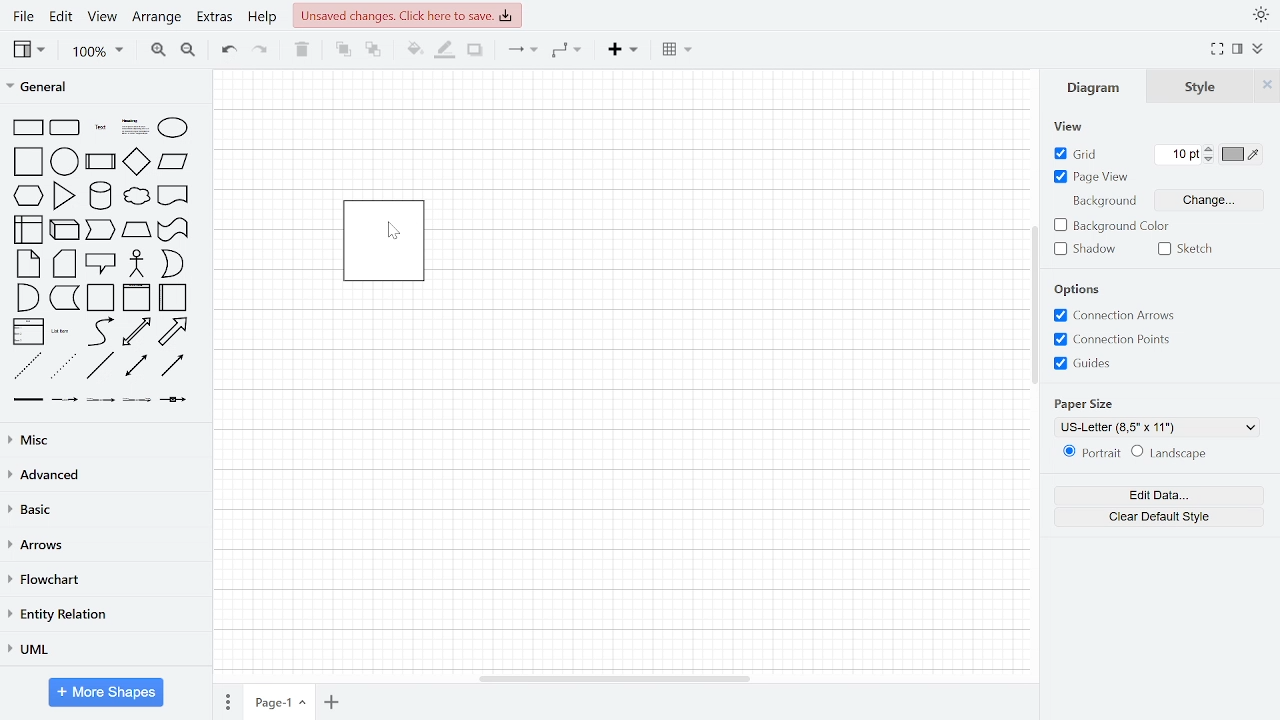 This screenshot has width=1280, height=720. I want to click on connector with 3 label, so click(137, 402).